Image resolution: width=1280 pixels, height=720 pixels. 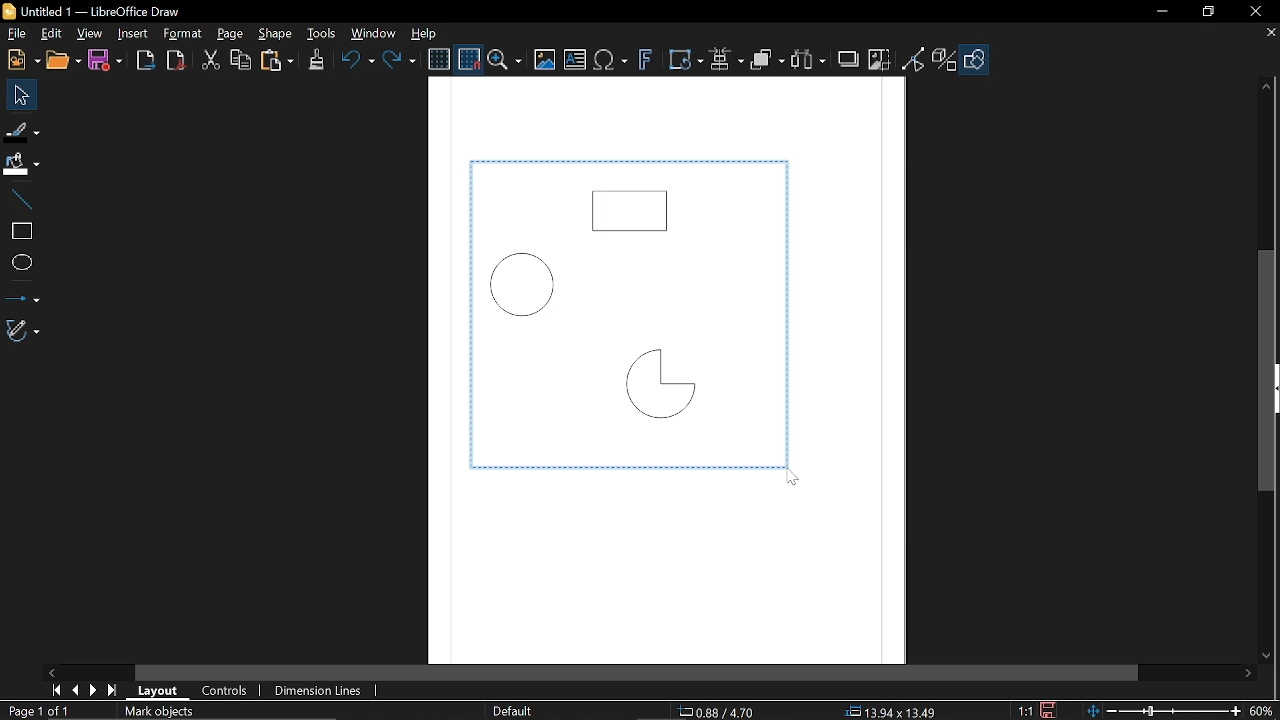 What do you see at coordinates (438, 59) in the screenshot?
I see `Display grid` at bounding box center [438, 59].